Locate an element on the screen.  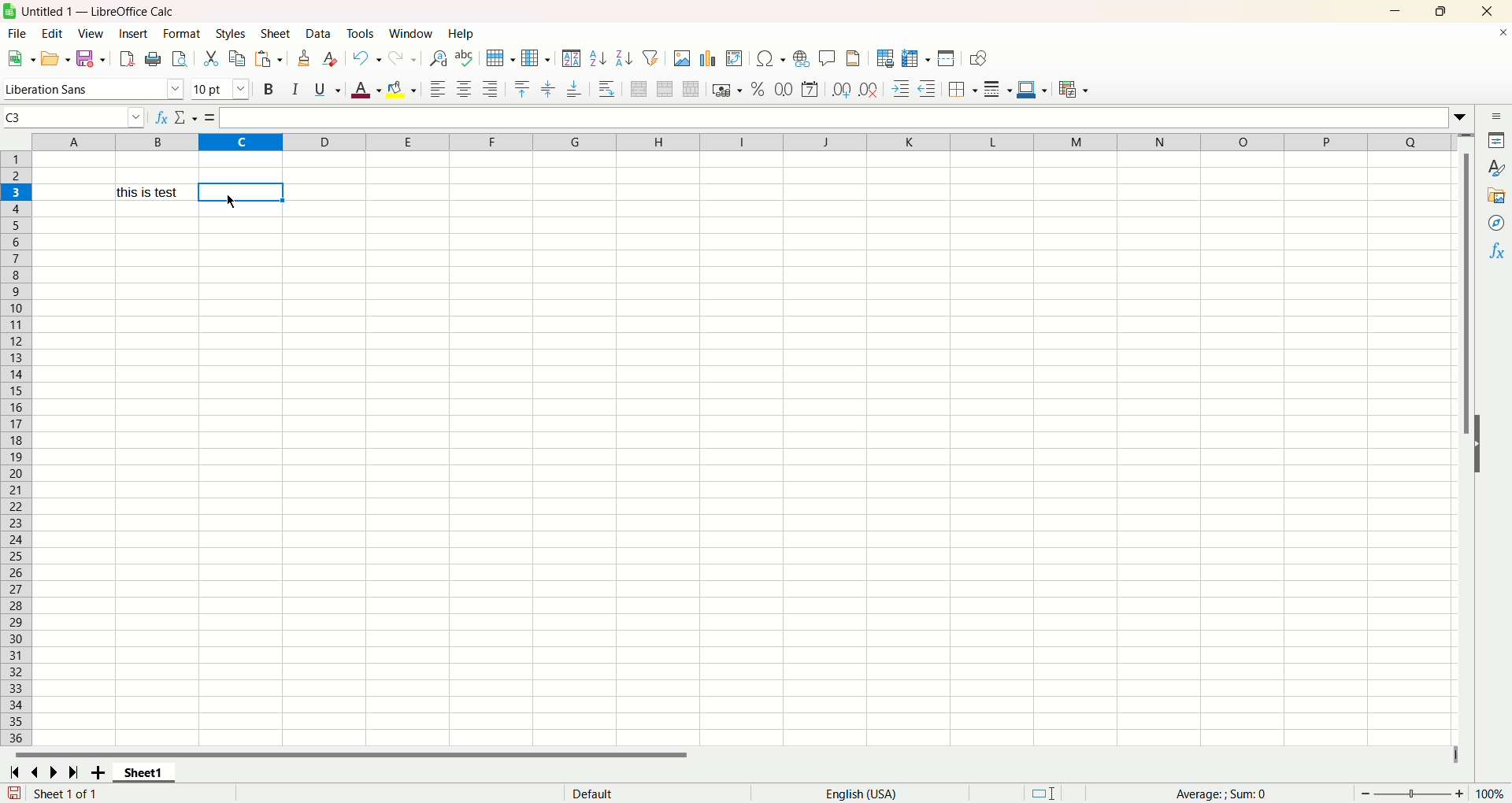
save is located at coordinates (13, 793).